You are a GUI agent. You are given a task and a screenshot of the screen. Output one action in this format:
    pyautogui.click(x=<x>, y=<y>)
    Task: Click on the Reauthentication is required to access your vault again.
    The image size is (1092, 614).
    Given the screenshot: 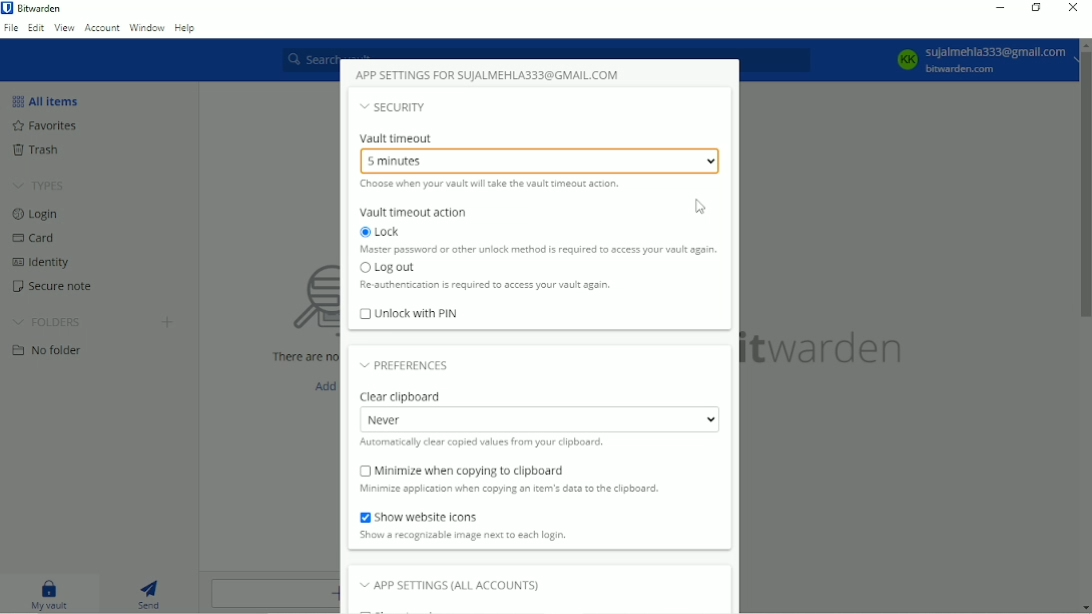 What is the action you would take?
    pyautogui.click(x=485, y=287)
    